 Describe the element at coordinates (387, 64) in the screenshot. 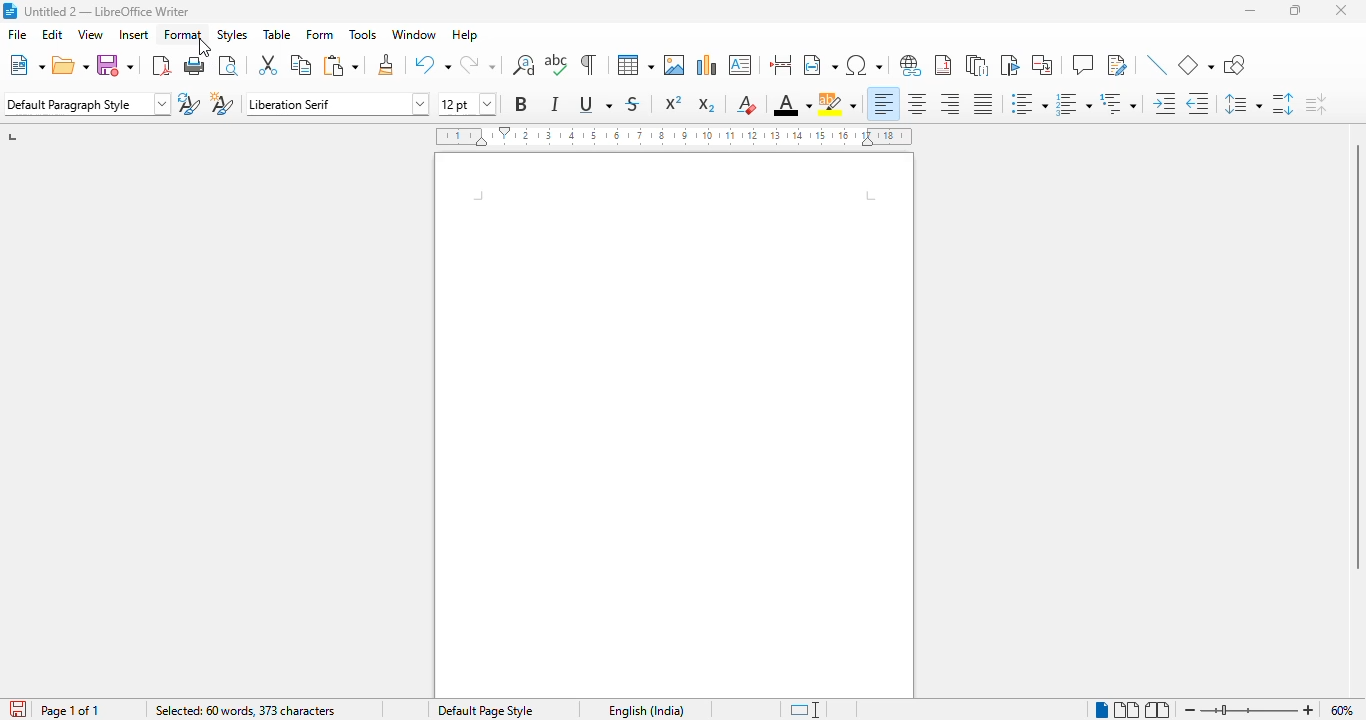

I see `clone formatting` at that location.